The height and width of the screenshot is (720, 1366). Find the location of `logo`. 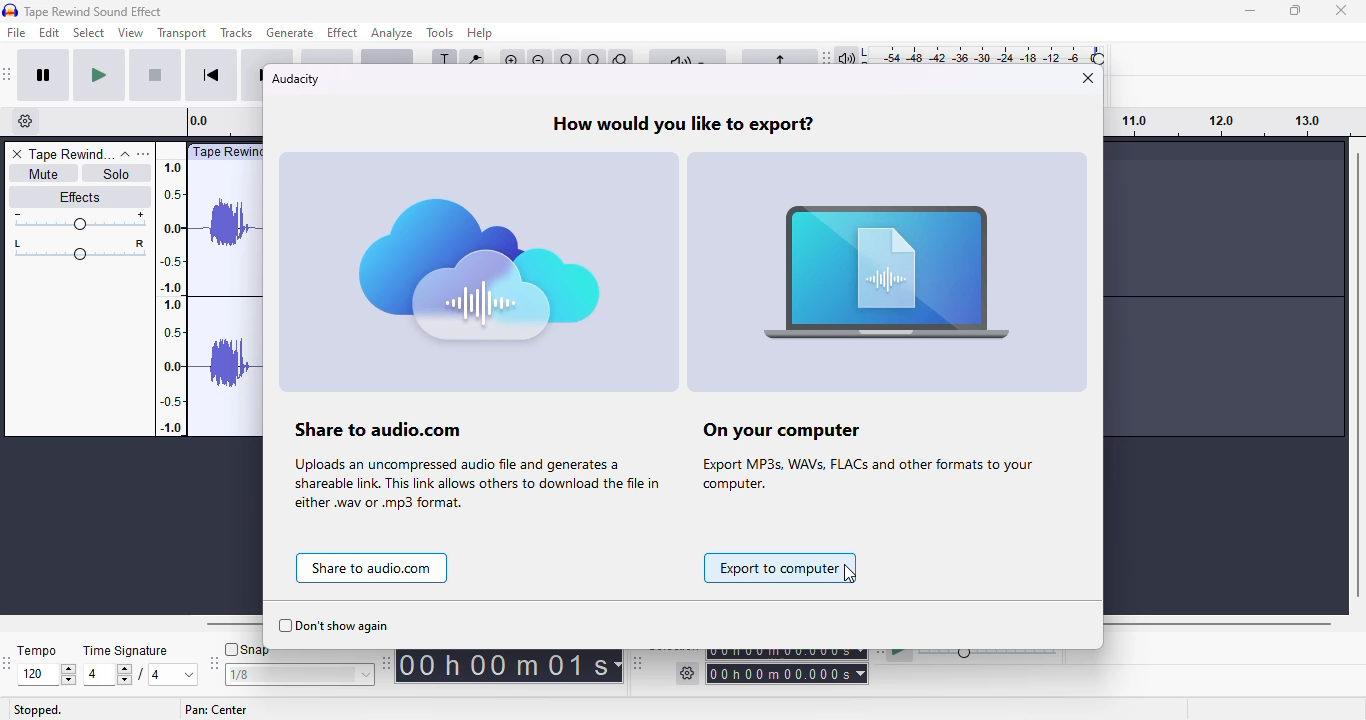

logo is located at coordinates (11, 10).